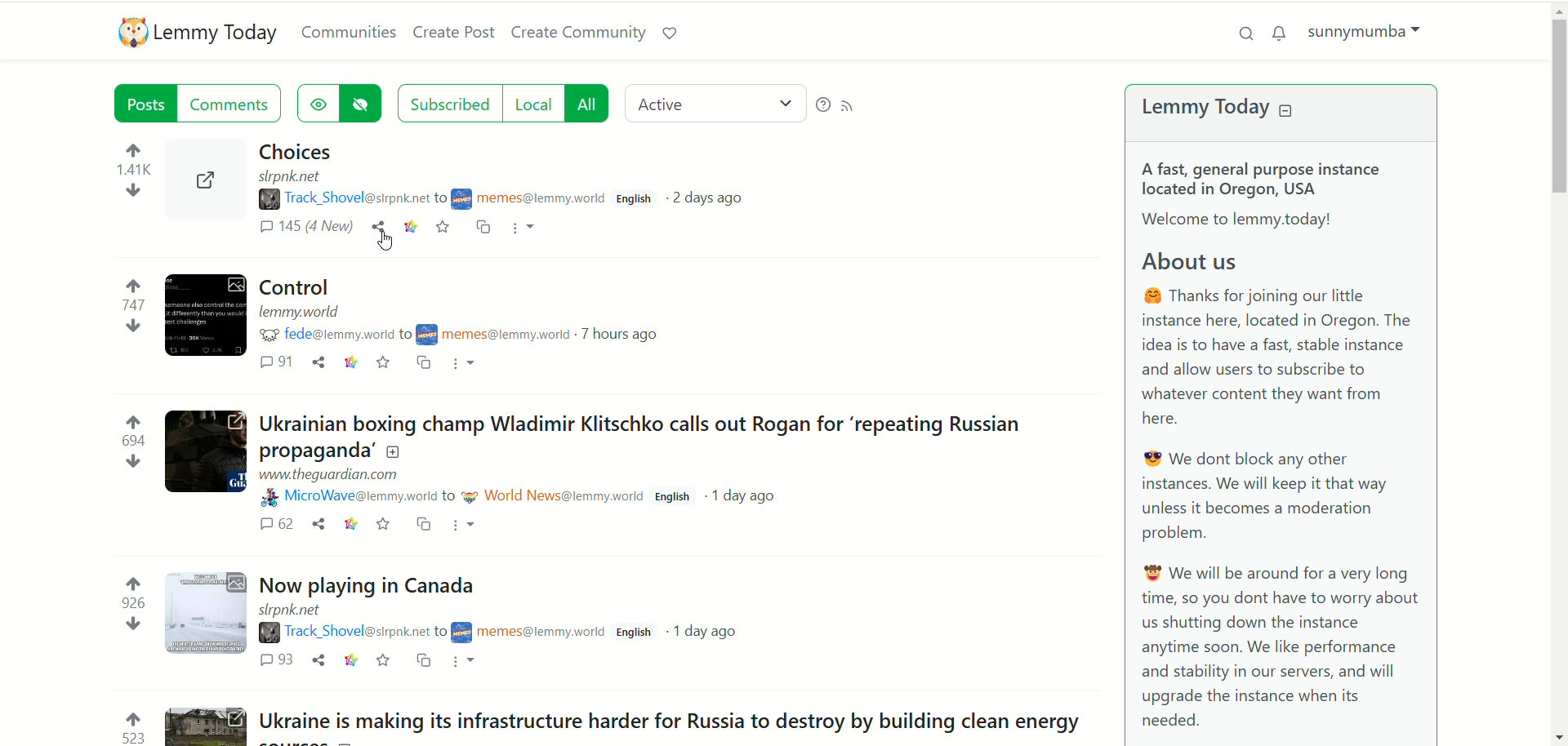 The height and width of the screenshot is (746, 1568). I want to click on Post on "Control", so click(301, 286).